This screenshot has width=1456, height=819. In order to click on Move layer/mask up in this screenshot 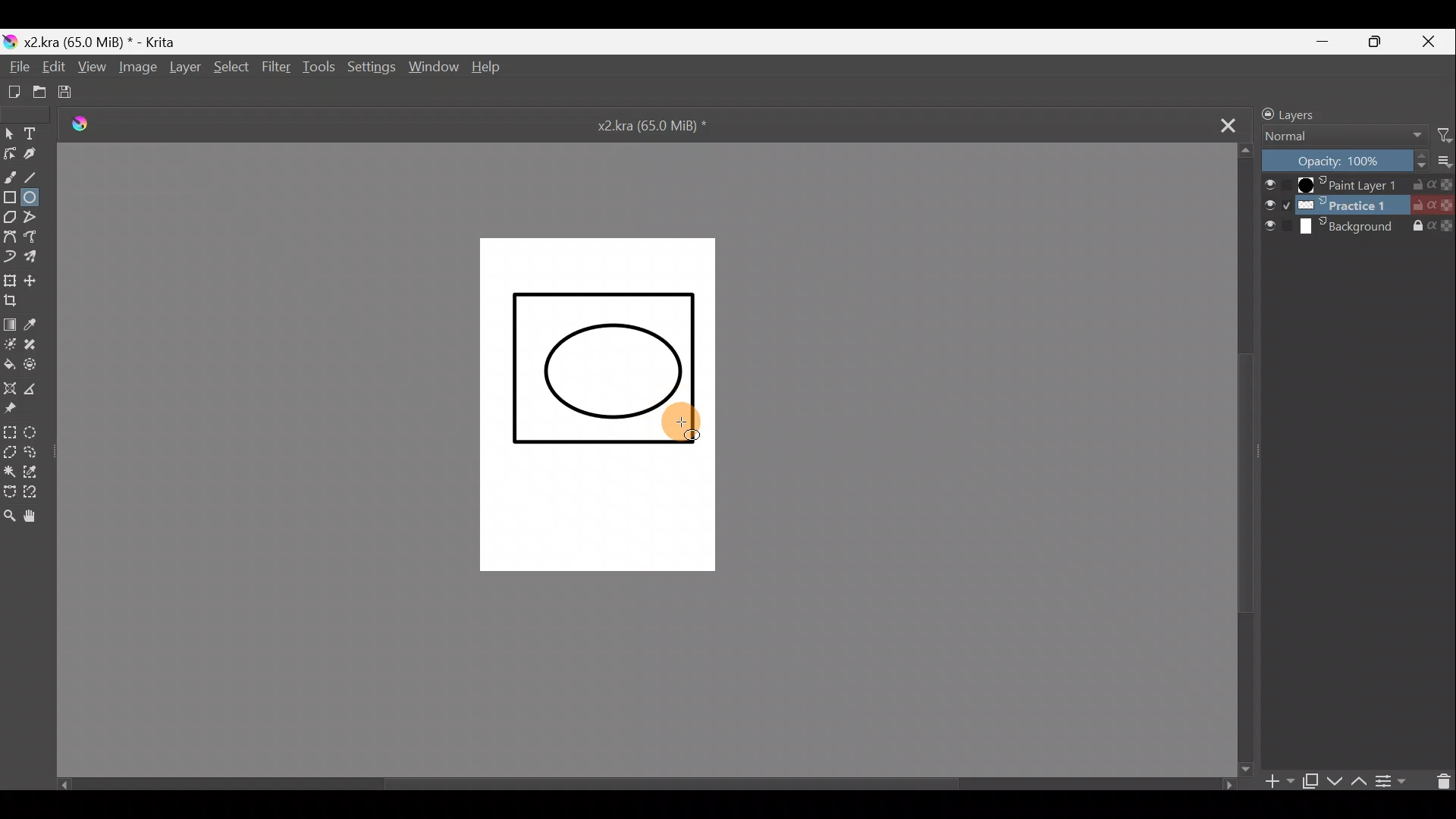, I will do `click(1357, 778)`.